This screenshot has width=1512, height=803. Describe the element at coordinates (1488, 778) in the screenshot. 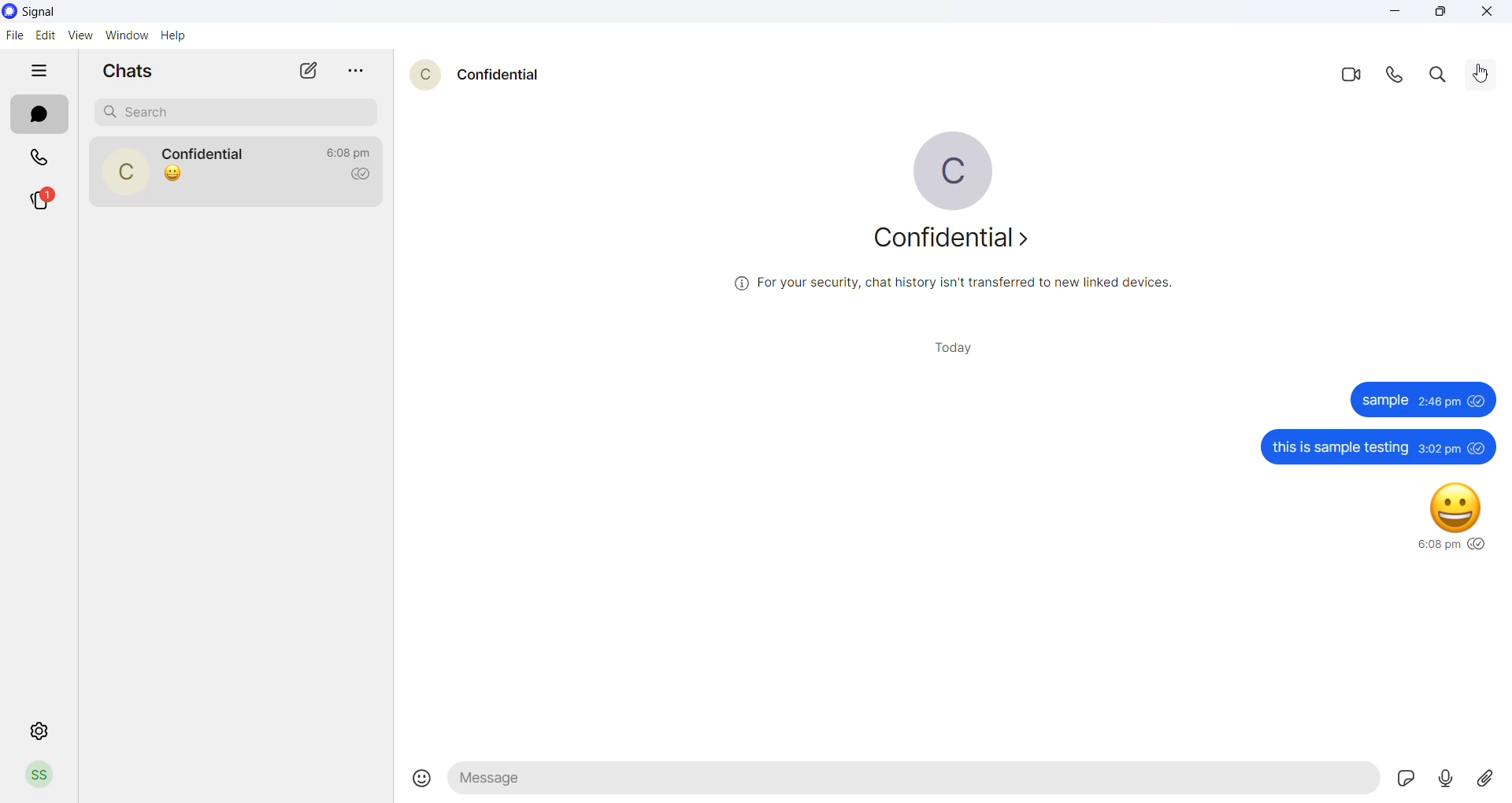

I see `share attachment` at that location.